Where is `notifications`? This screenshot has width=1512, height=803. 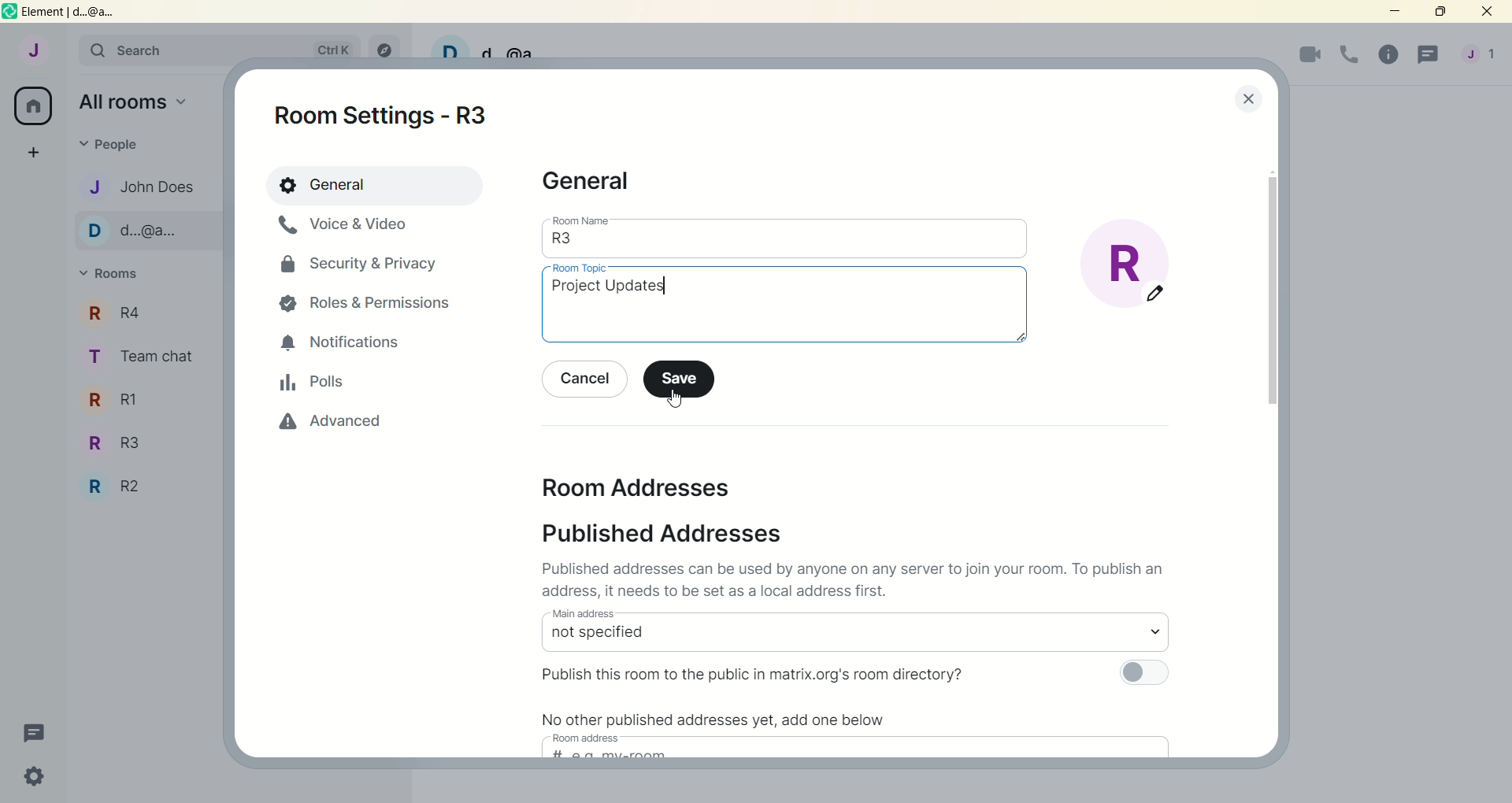 notifications is located at coordinates (341, 346).